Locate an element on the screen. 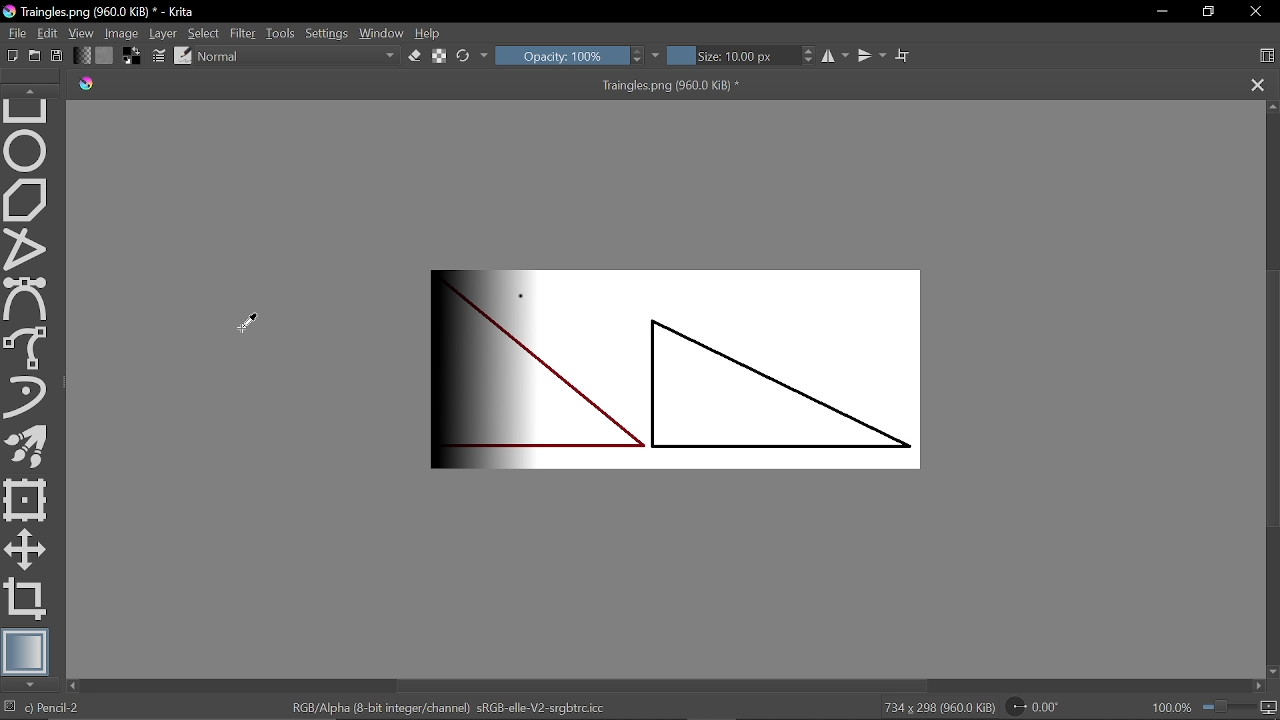 The height and width of the screenshot is (720, 1280). Polygon tool is located at coordinates (28, 200).